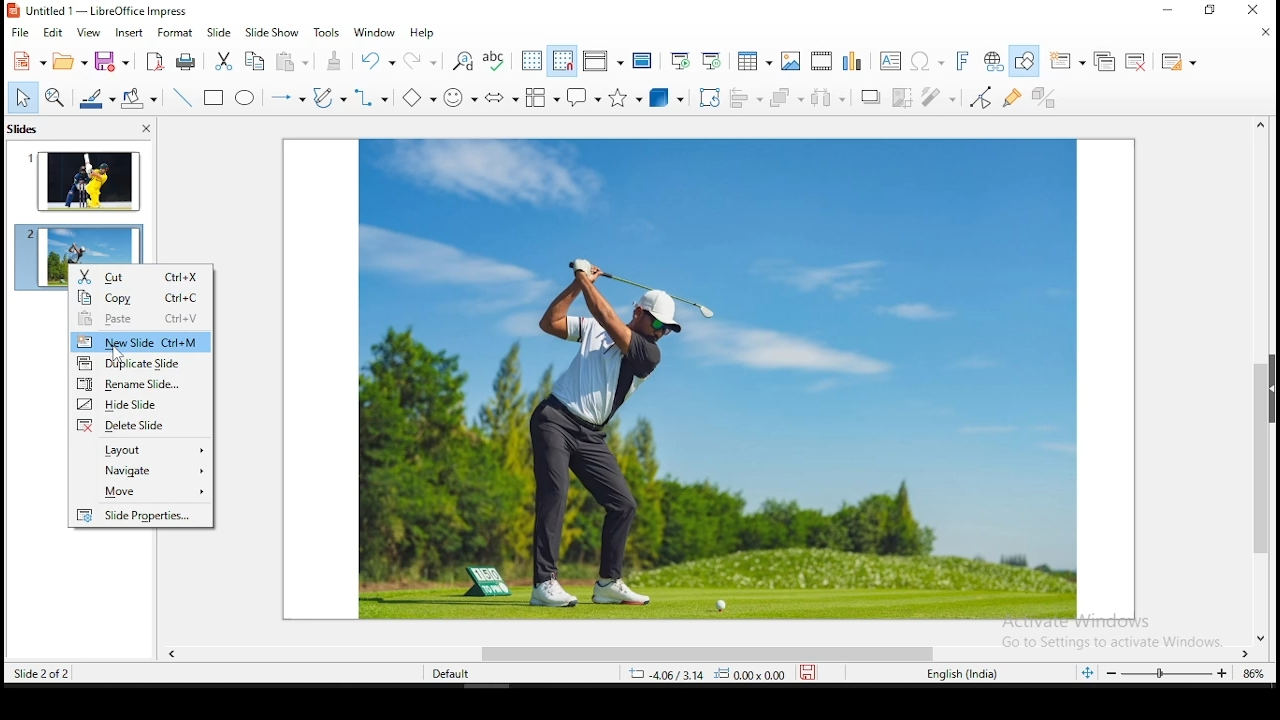 This screenshot has width=1280, height=720. Describe the element at coordinates (1272, 388) in the screenshot. I see `hide` at that location.